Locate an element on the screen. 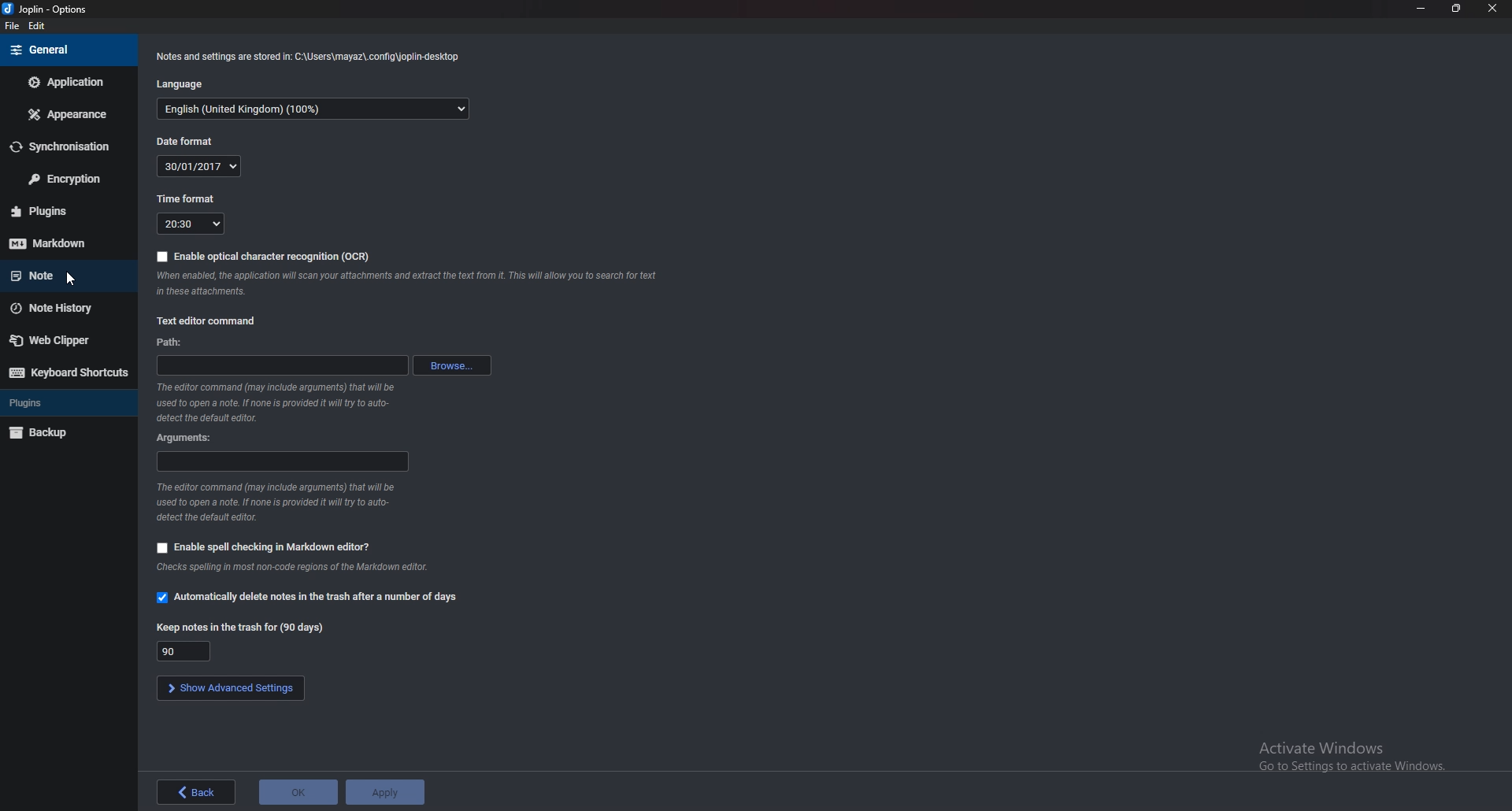 This screenshot has width=1512, height=811. back is located at coordinates (191, 792).